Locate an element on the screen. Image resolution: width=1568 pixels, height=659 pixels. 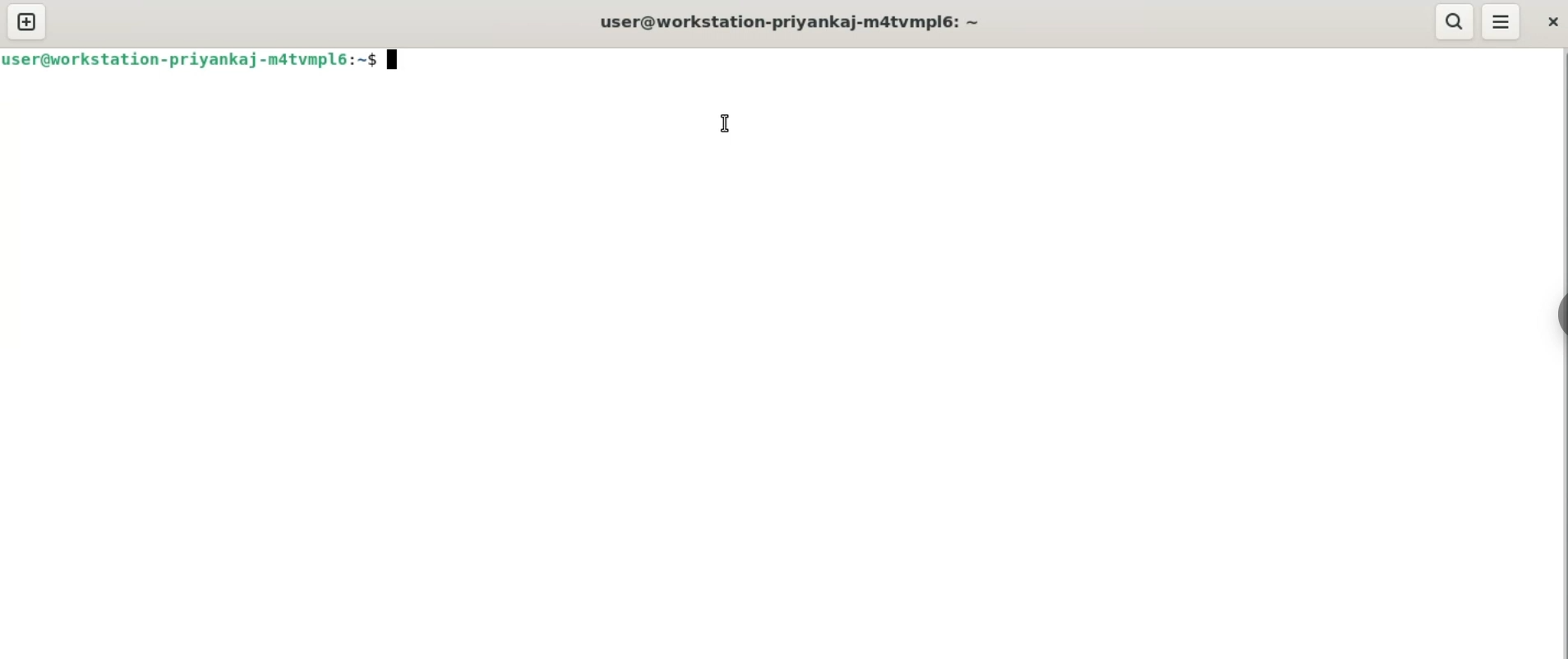
sidebar is located at coordinates (1558, 316).